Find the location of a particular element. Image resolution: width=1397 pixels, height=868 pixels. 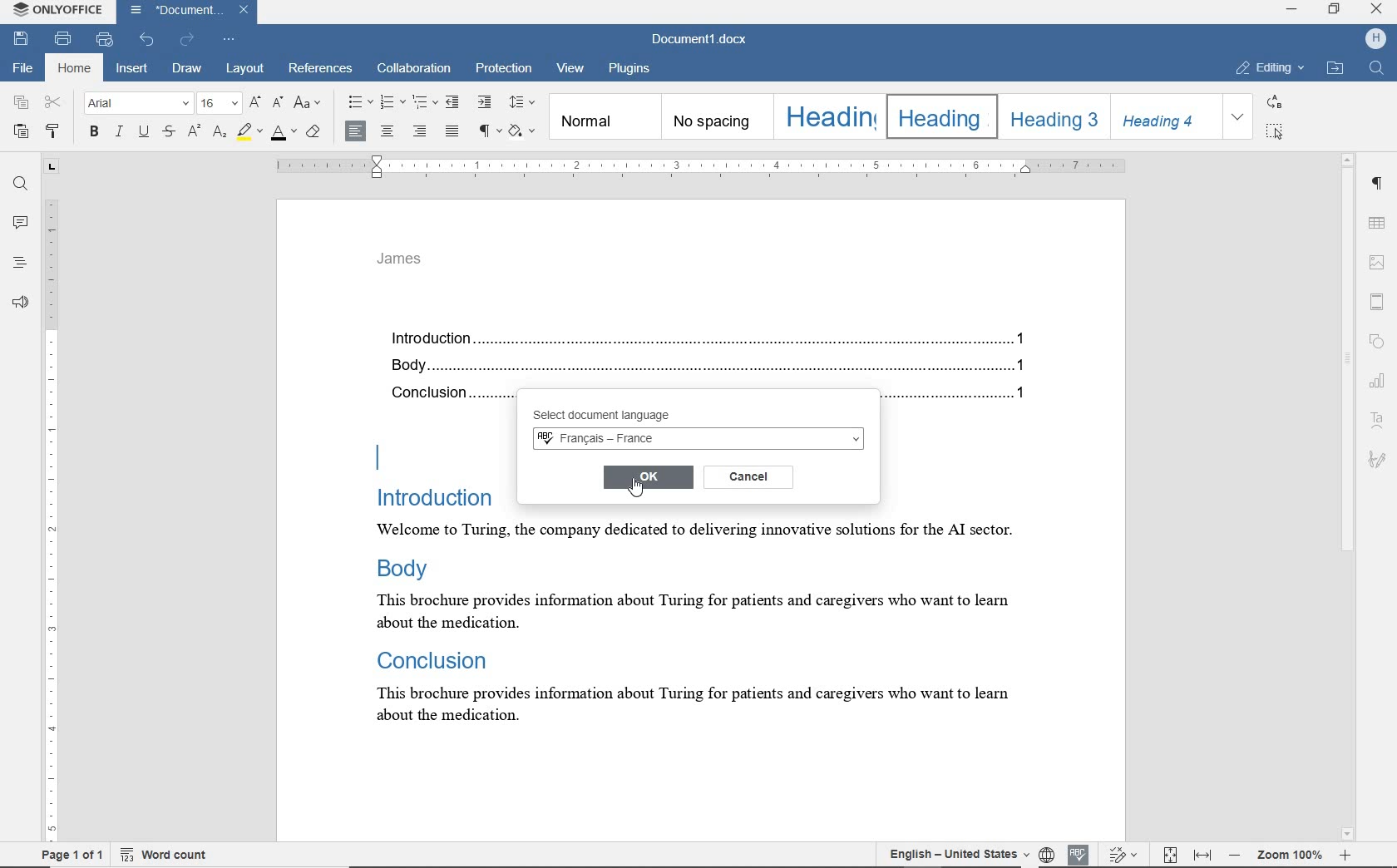

font color is located at coordinates (285, 131).